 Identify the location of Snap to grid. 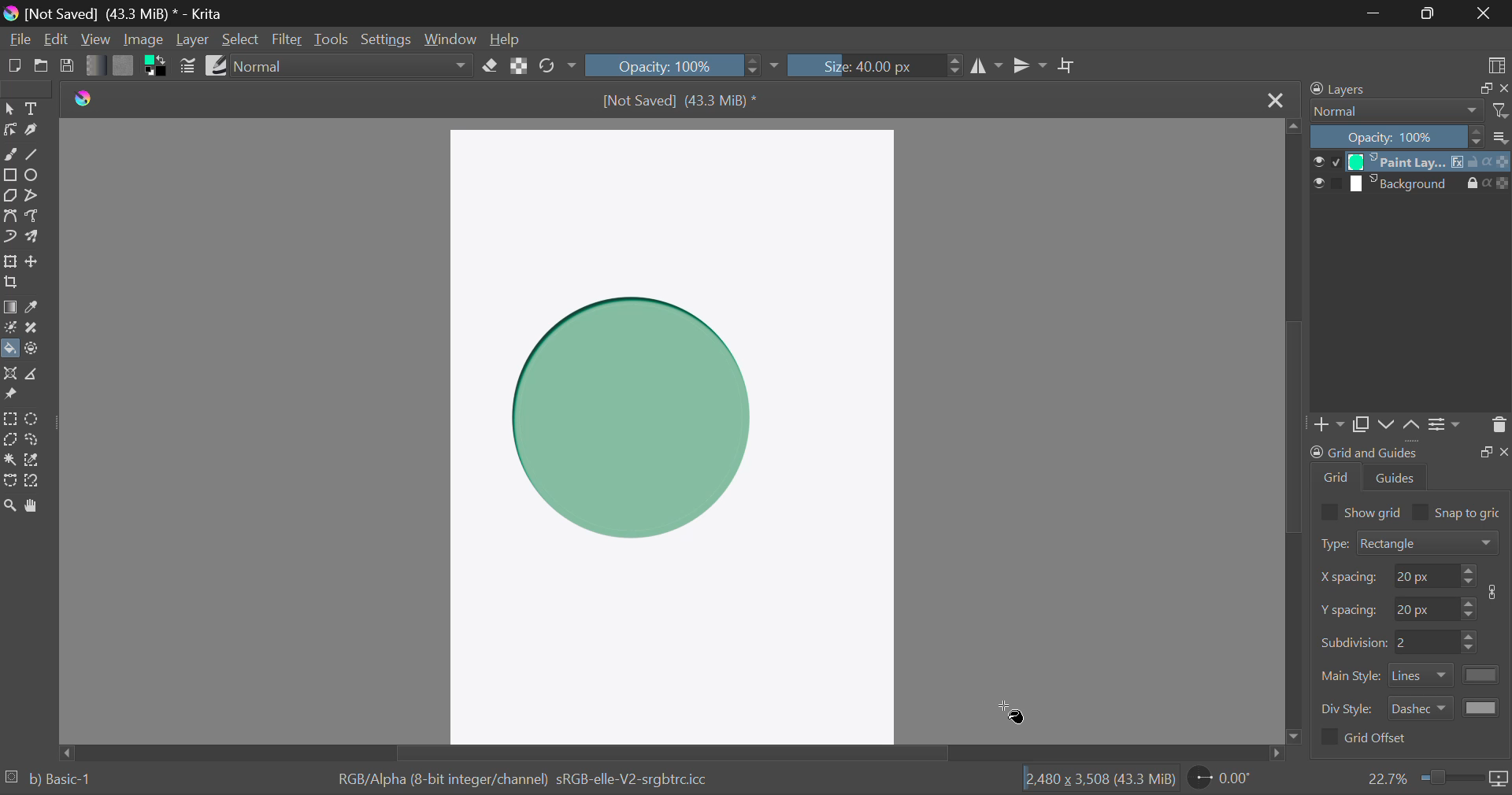
(1460, 511).